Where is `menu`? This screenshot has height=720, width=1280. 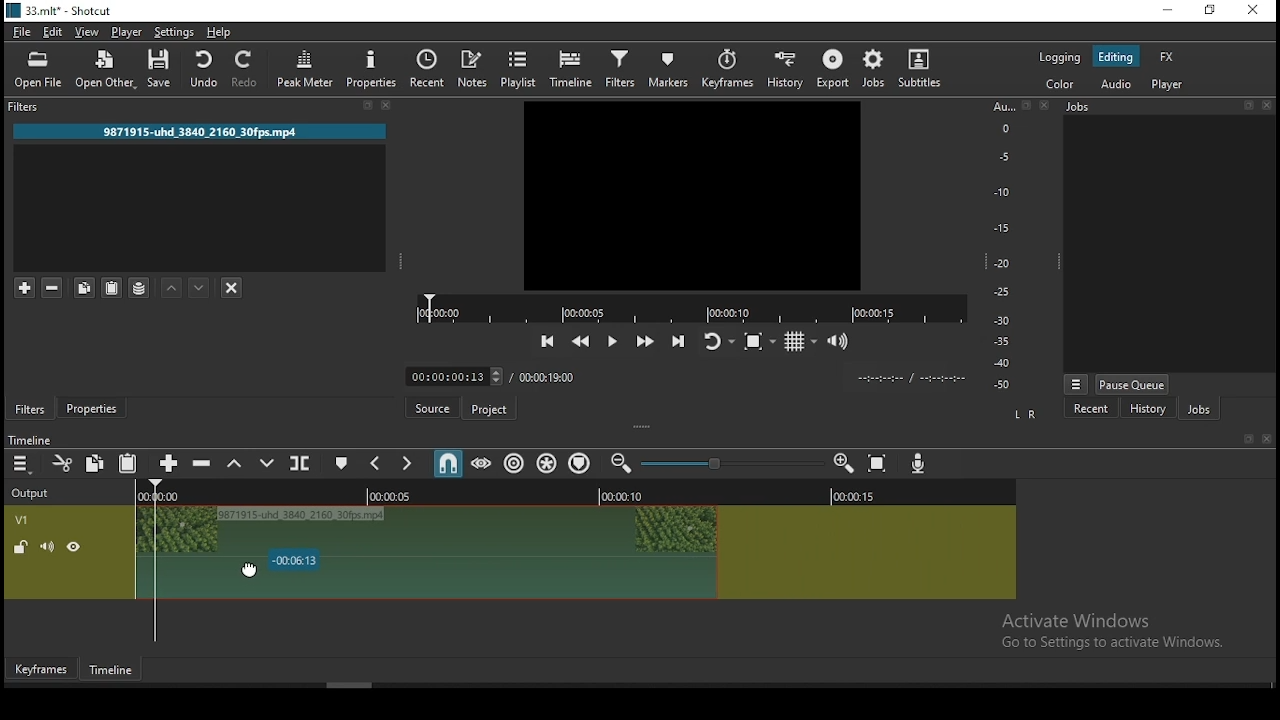
menu is located at coordinates (22, 463).